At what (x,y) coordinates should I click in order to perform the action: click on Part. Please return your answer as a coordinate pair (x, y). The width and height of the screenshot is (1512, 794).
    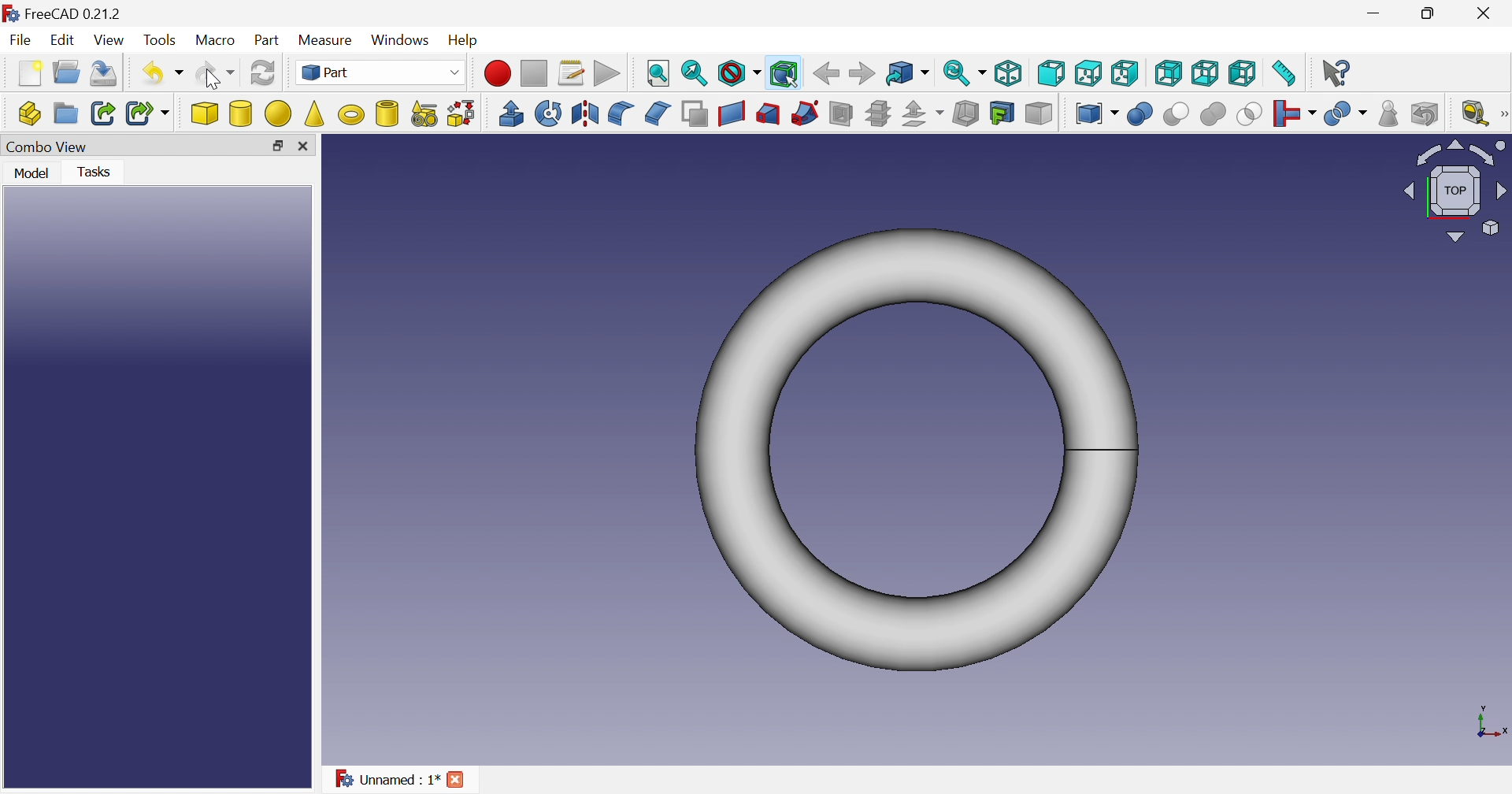
    Looking at the image, I should click on (383, 73).